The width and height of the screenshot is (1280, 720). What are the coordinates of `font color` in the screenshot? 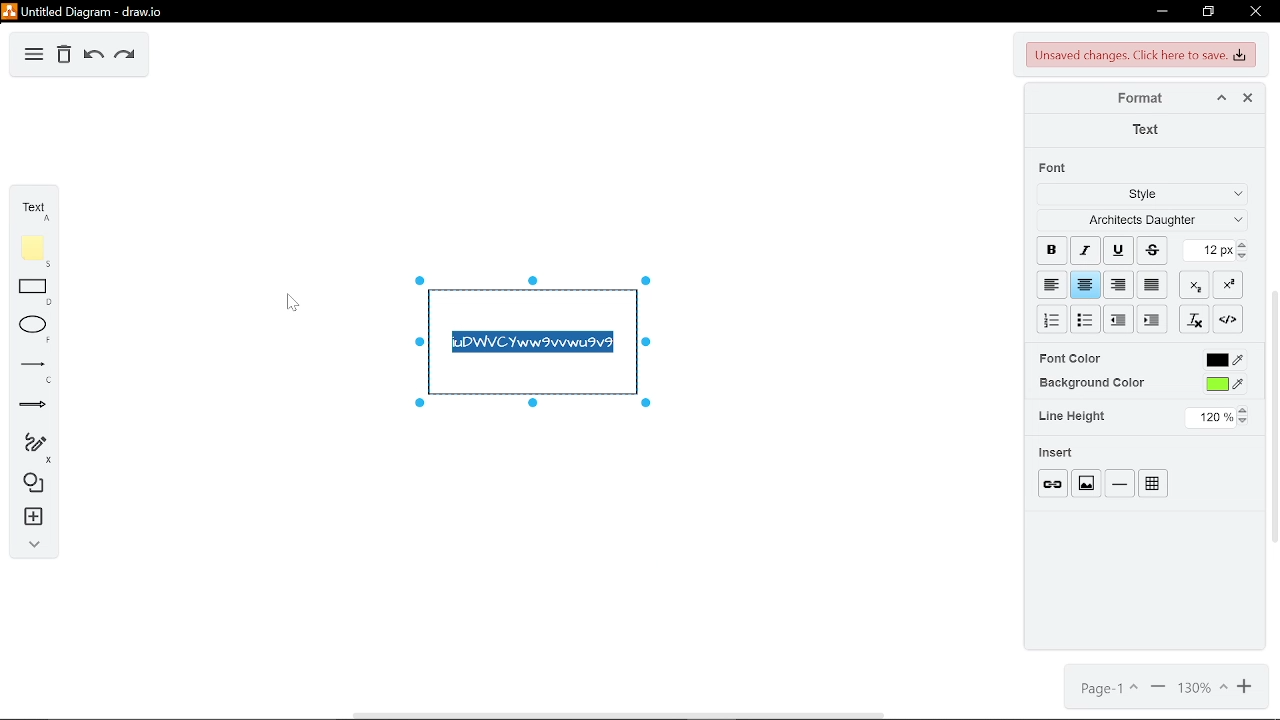 It's located at (1226, 360).